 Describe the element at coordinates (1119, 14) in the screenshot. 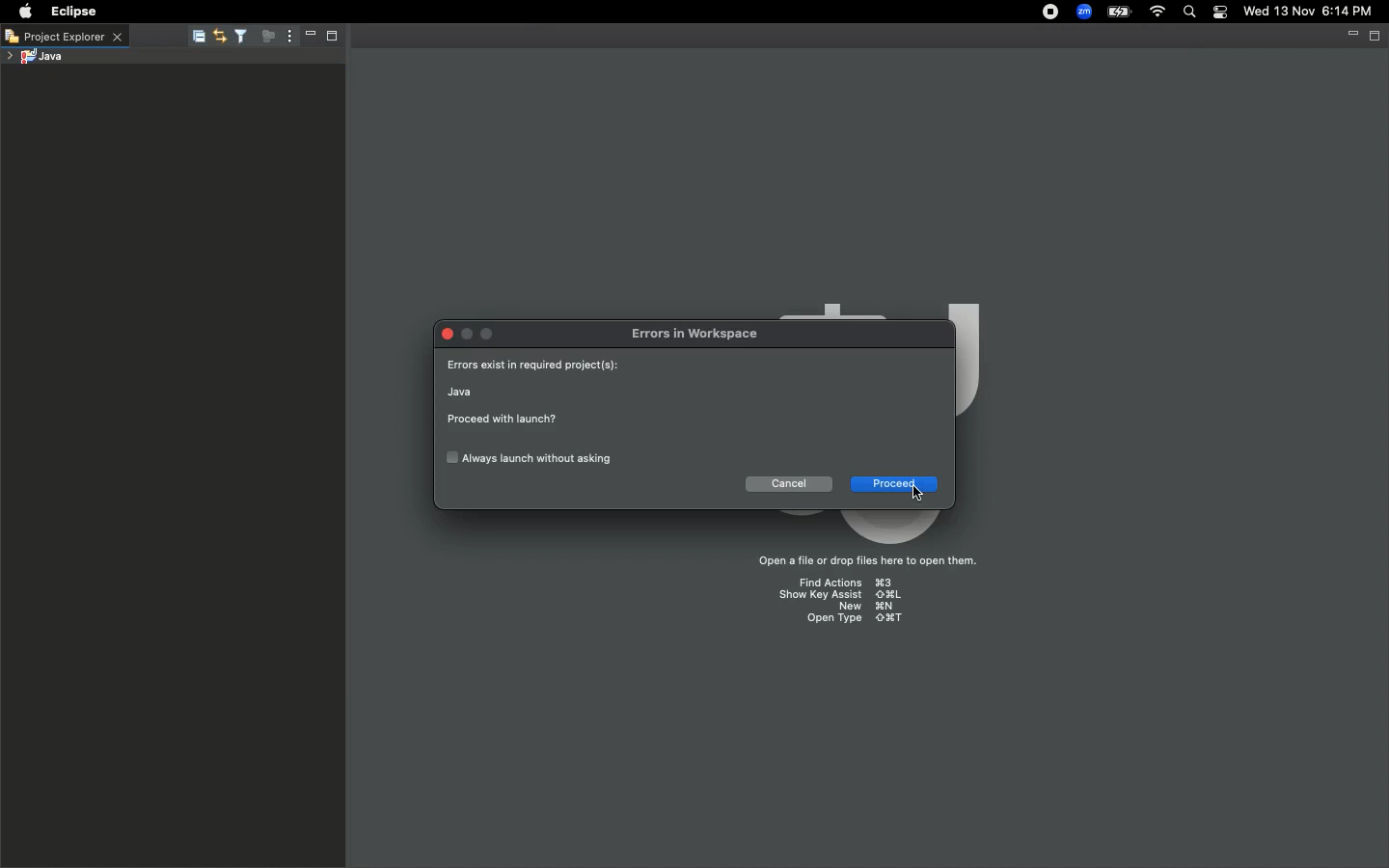

I see `Charge` at that location.